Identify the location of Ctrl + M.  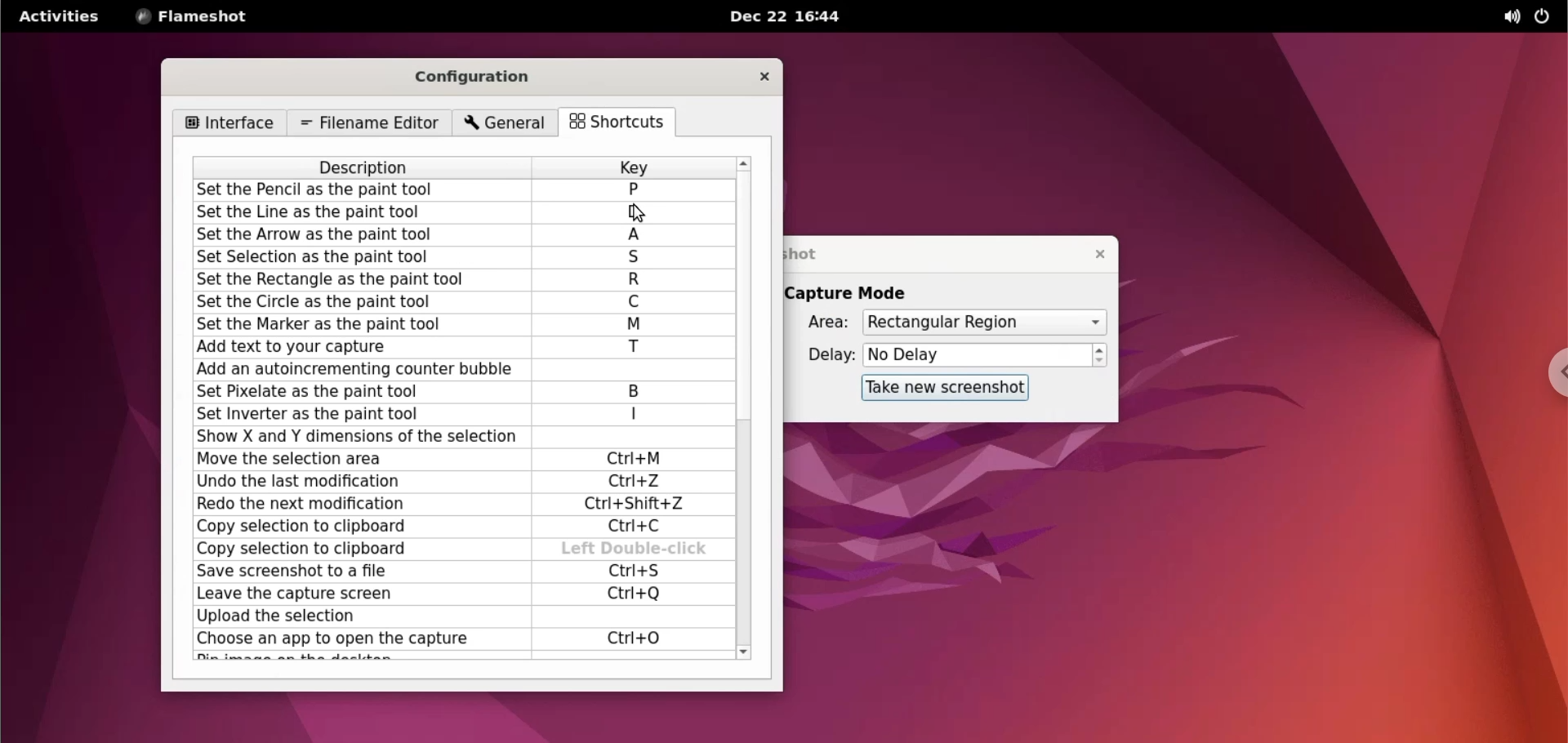
(639, 460).